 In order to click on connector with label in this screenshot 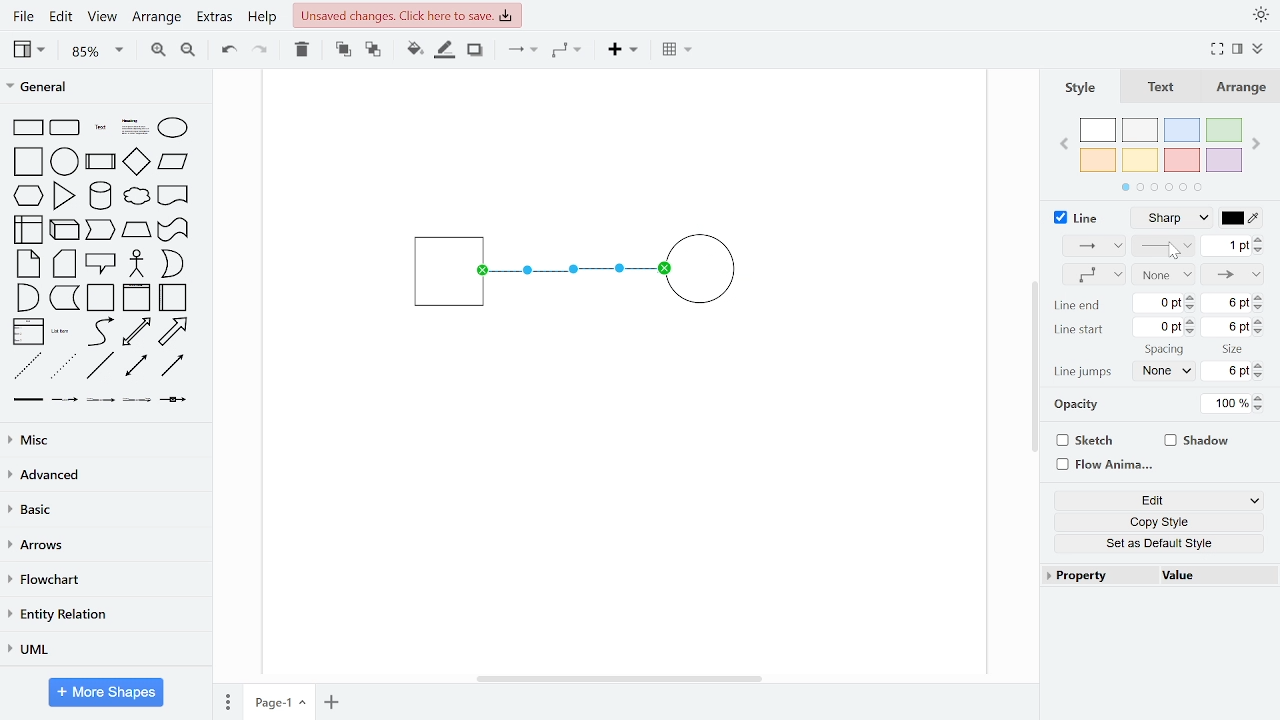, I will do `click(65, 400)`.